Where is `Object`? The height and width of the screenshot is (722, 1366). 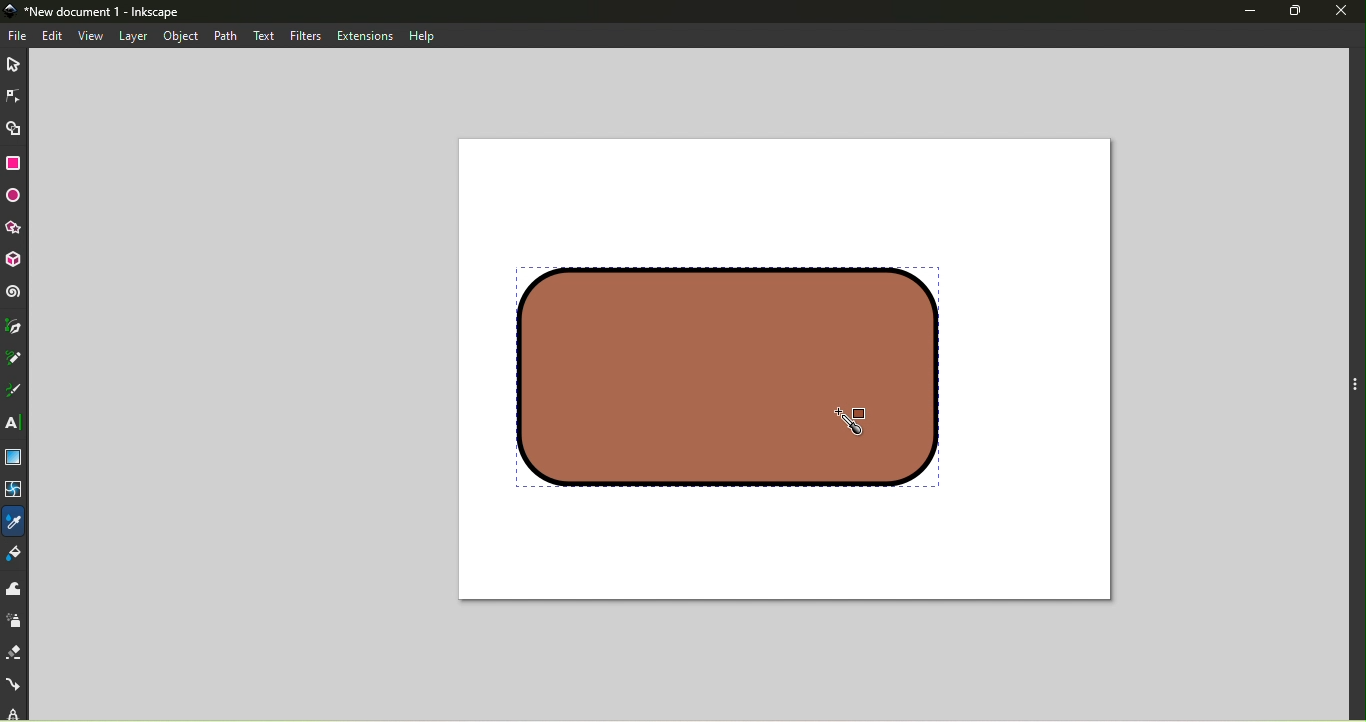 Object is located at coordinates (184, 35).